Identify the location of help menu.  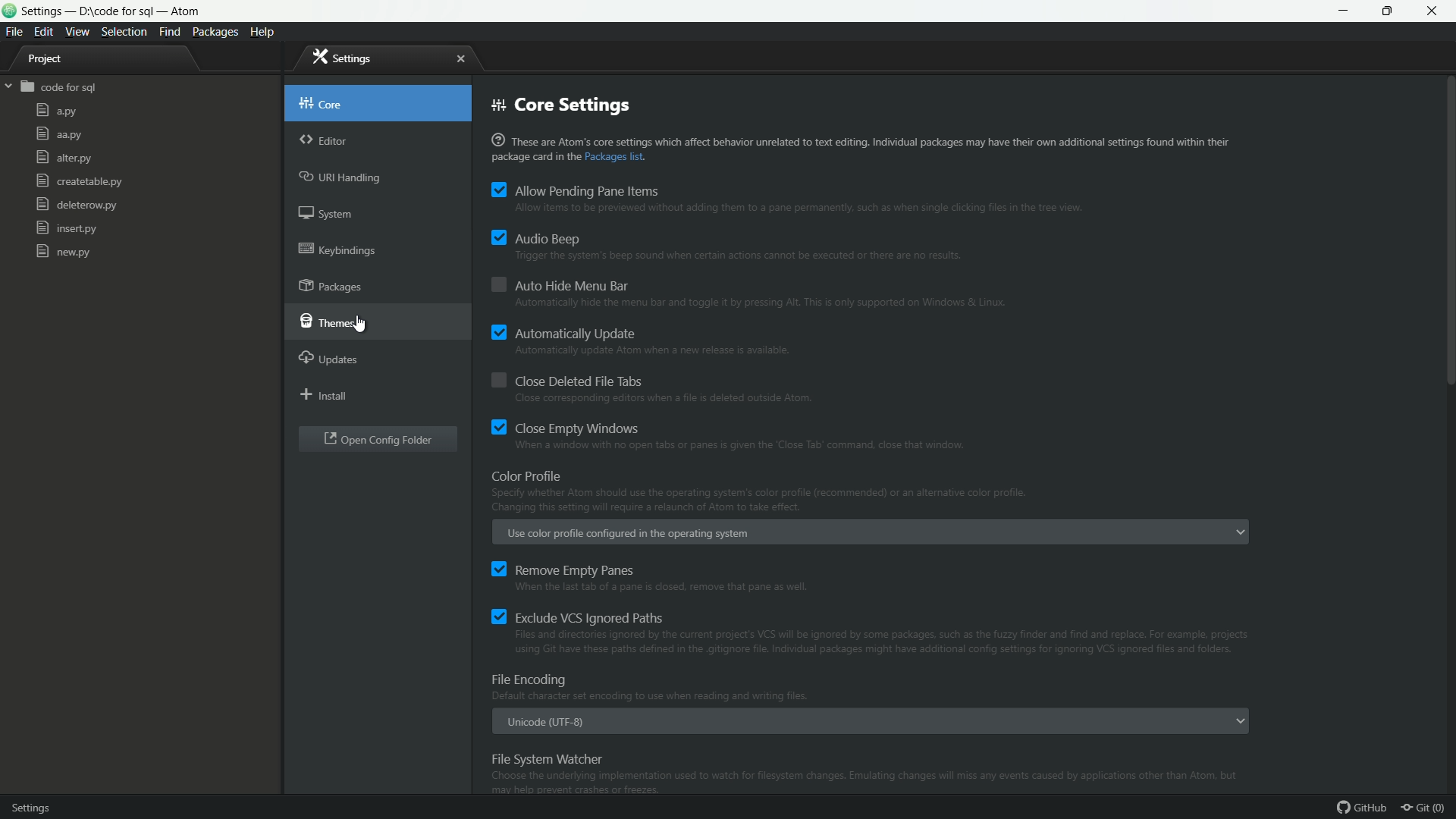
(265, 32).